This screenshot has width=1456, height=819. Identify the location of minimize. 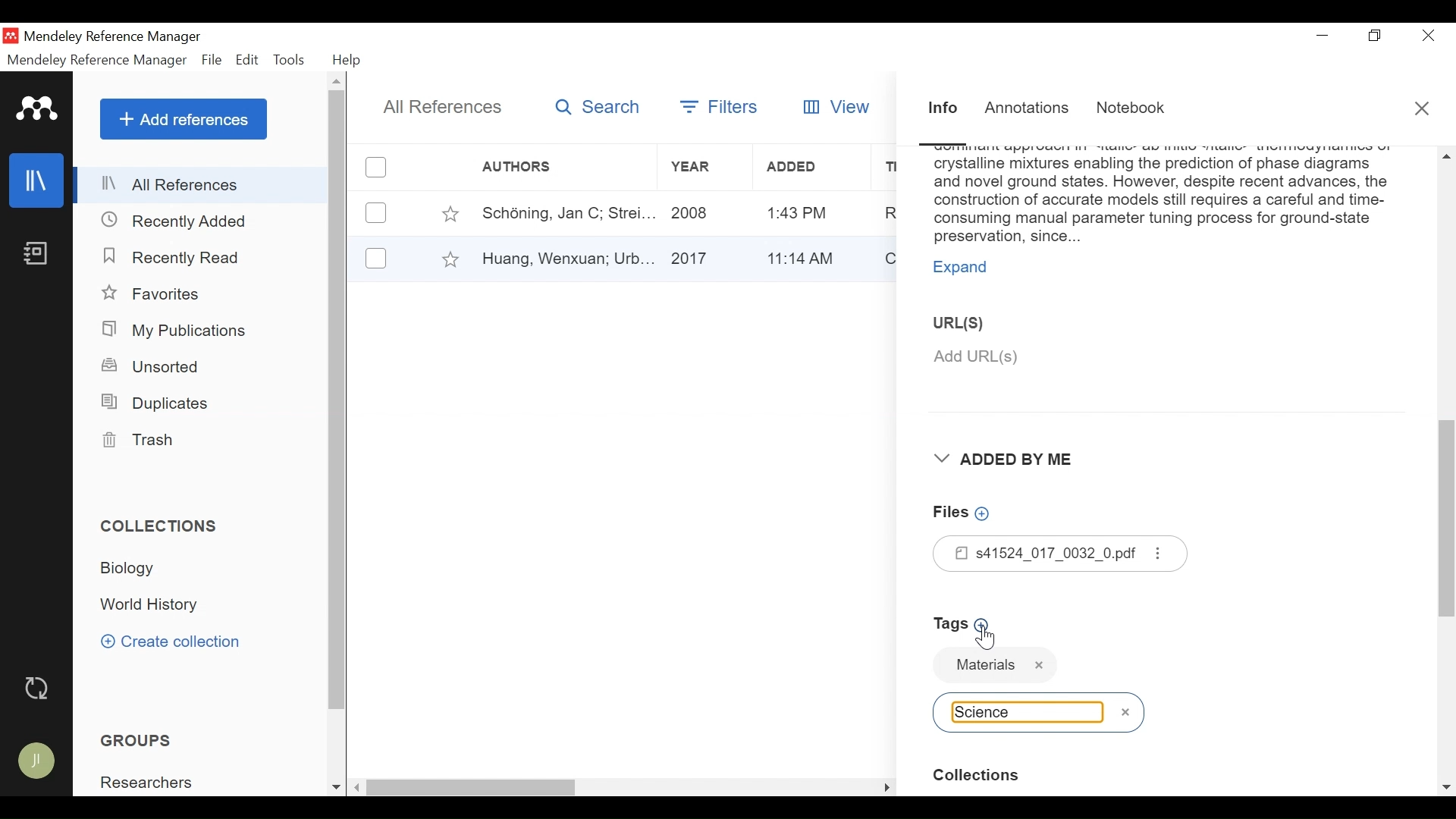
(1323, 36).